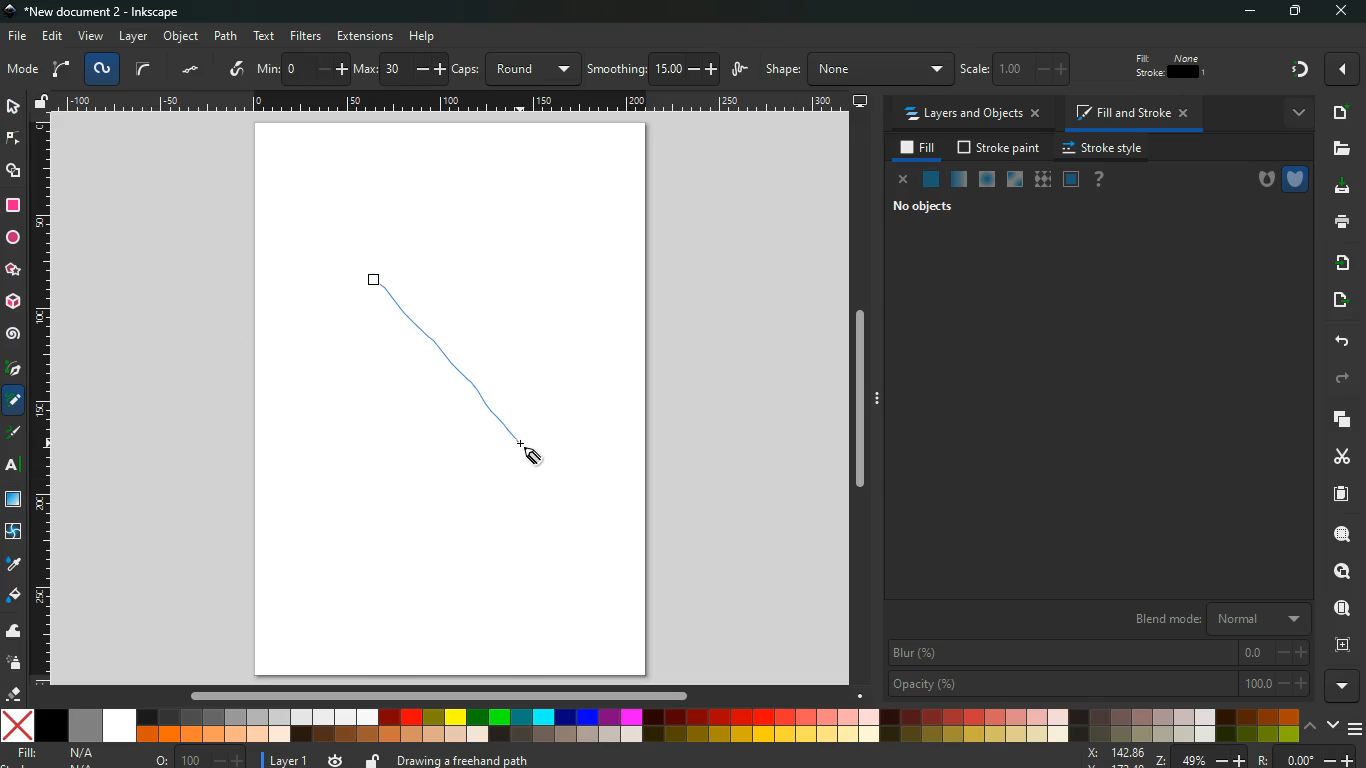 Image resolution: width=1366 pixels, height=768 pixels. I want to click on receive, so click(1339, 261).